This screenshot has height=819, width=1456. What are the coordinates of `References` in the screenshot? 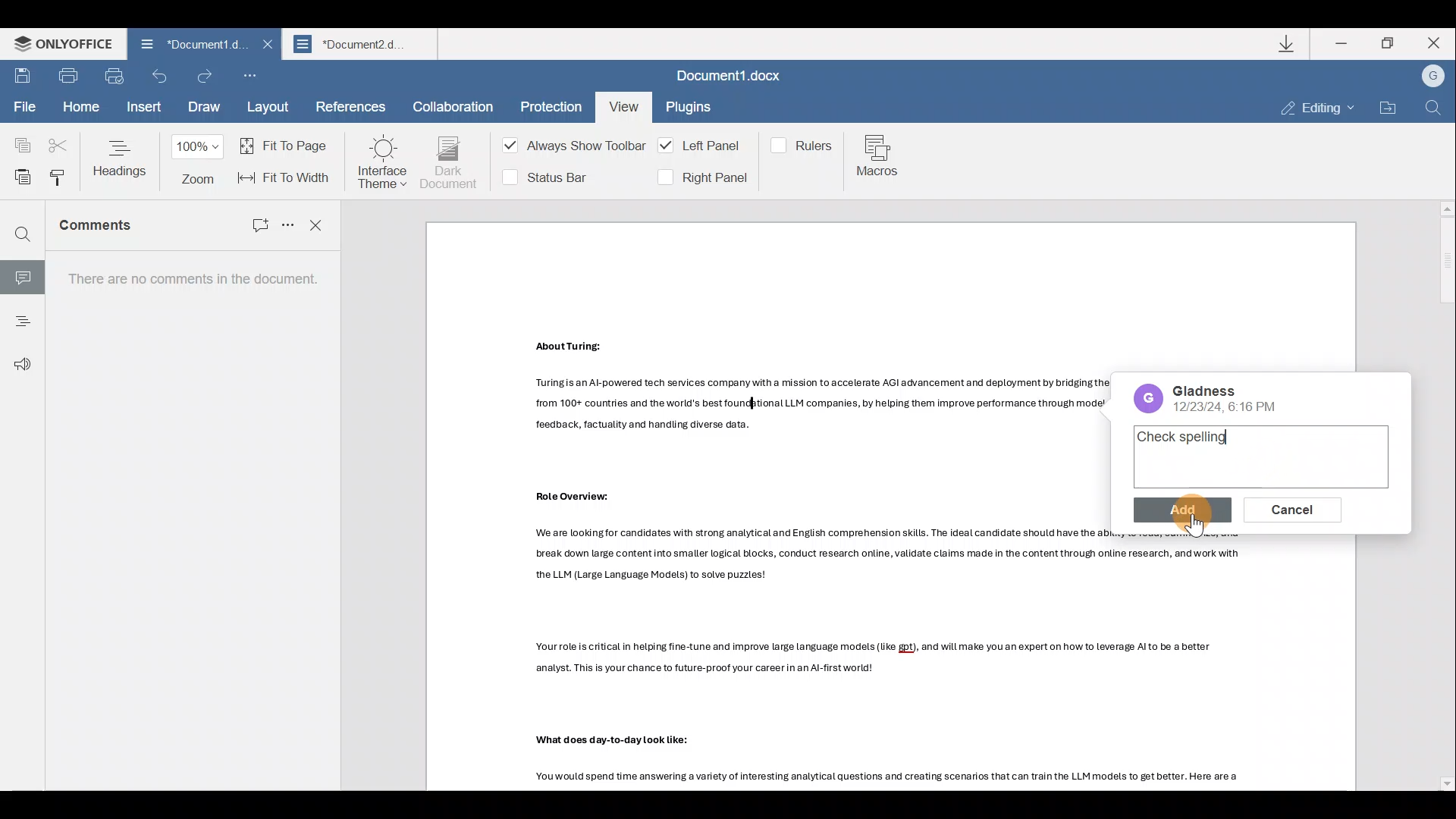 It's located at (350, 108).